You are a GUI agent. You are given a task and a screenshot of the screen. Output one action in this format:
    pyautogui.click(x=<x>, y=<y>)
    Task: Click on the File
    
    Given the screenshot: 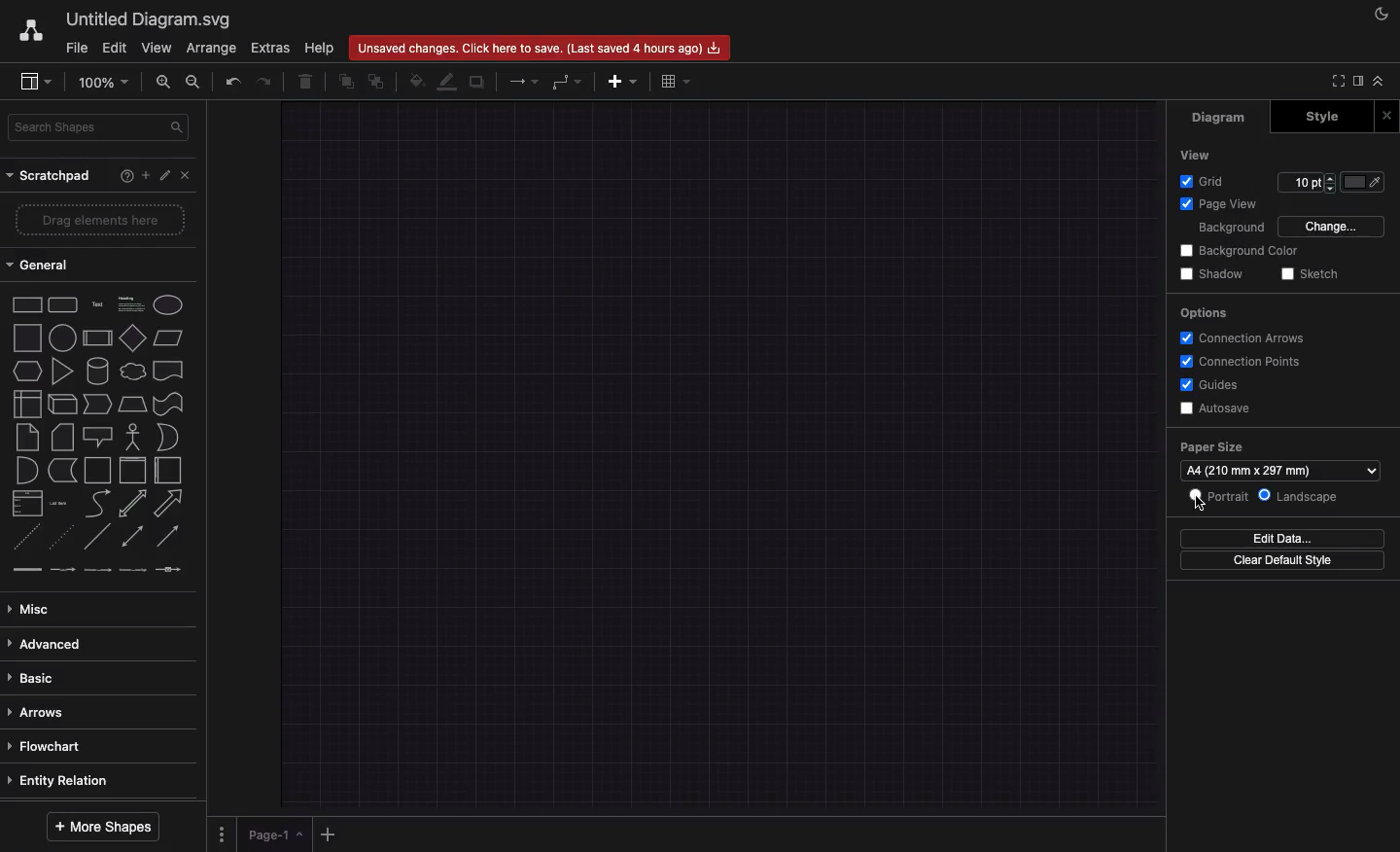 What is the action you would take?
    pyautogui.click(x=76, y=49)
    